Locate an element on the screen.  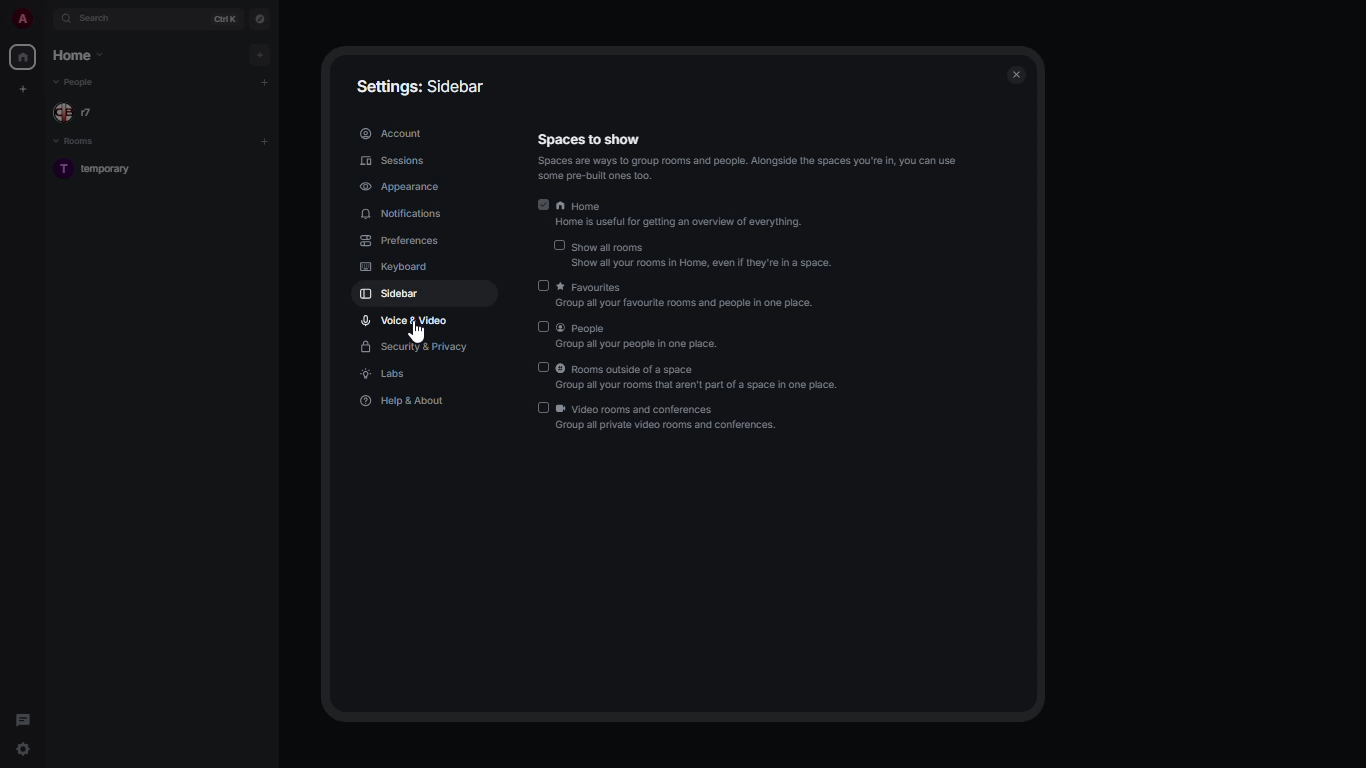
expand is located at coordinates (46, 19).